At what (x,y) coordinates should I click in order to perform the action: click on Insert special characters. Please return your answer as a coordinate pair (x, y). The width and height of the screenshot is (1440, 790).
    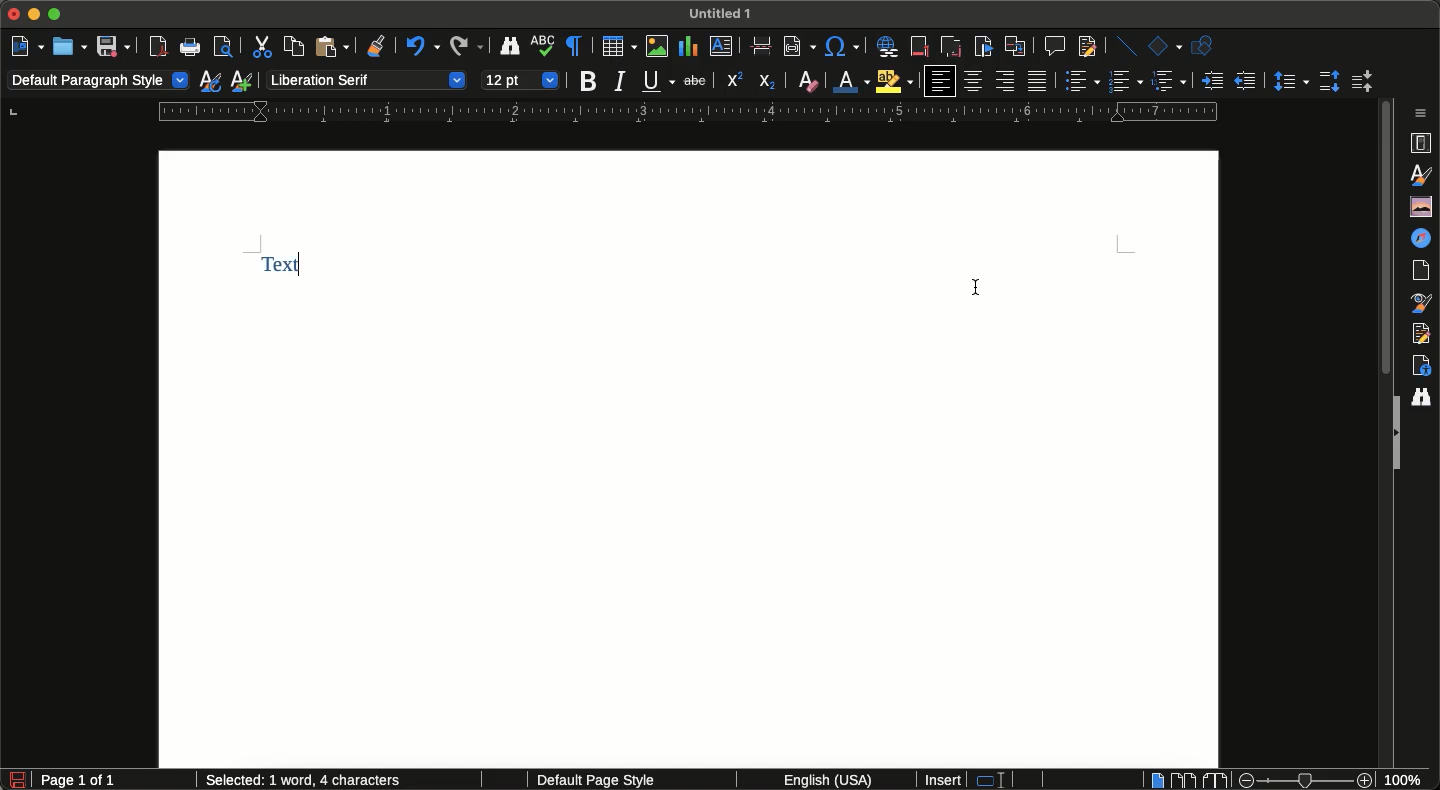
    Looking at the image, I should click on (844, 46).